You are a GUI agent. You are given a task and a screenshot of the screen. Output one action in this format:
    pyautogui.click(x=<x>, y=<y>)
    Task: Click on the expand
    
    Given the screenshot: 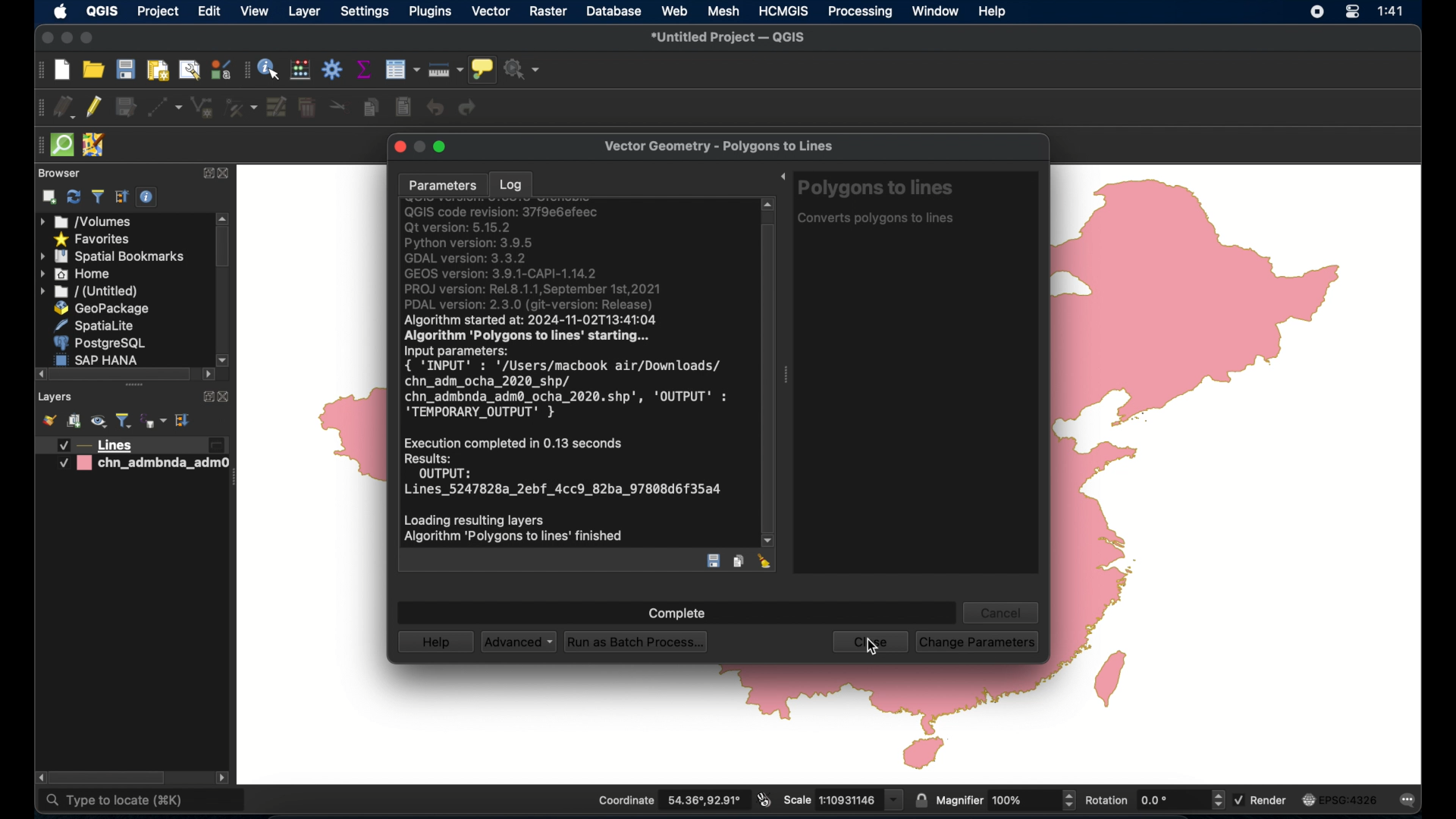 What is the action you would take?
    pyautogui.click(x=204, y=174)
    